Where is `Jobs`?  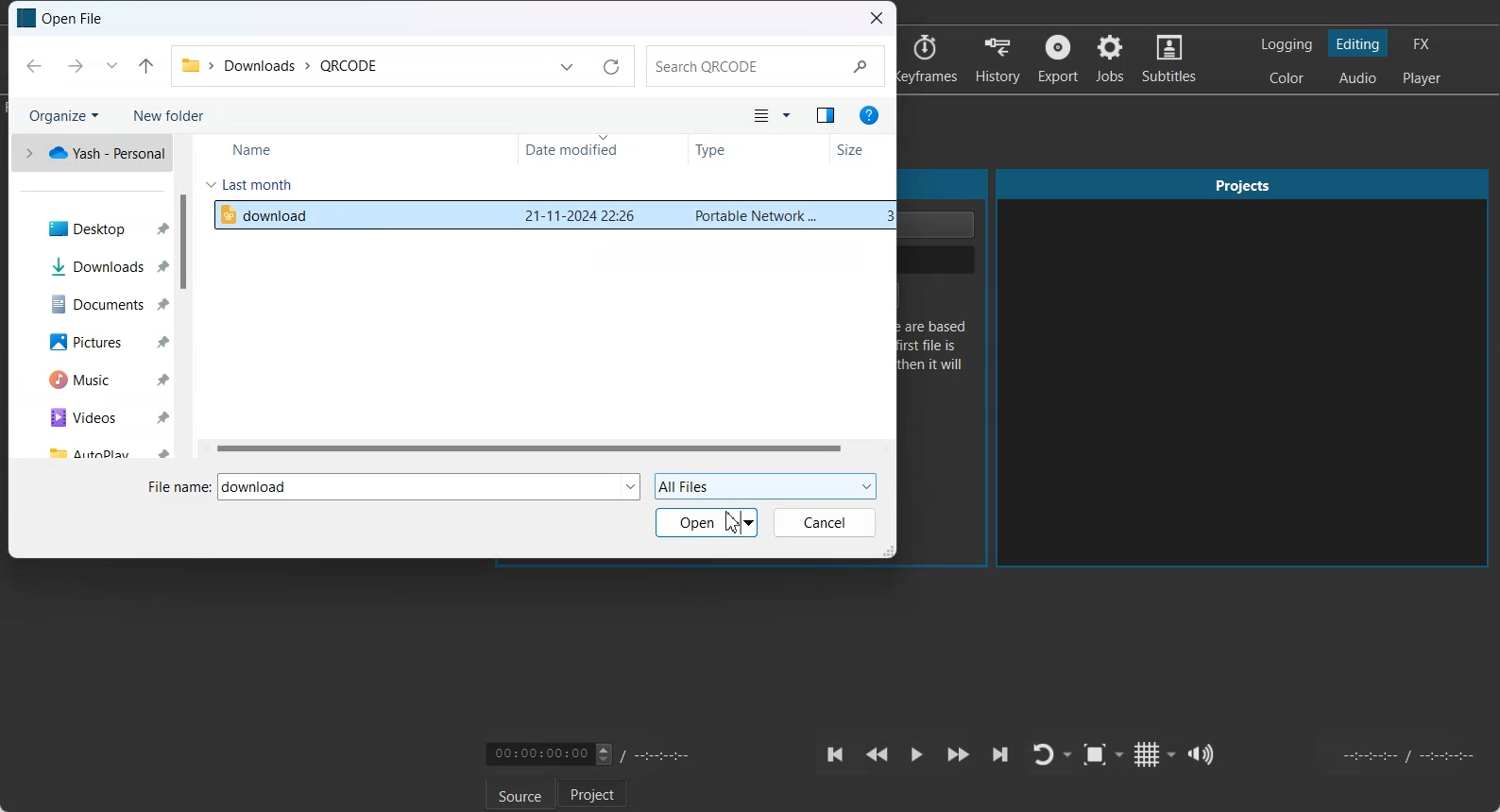 Jobs is located at coordinates (1112, 59).